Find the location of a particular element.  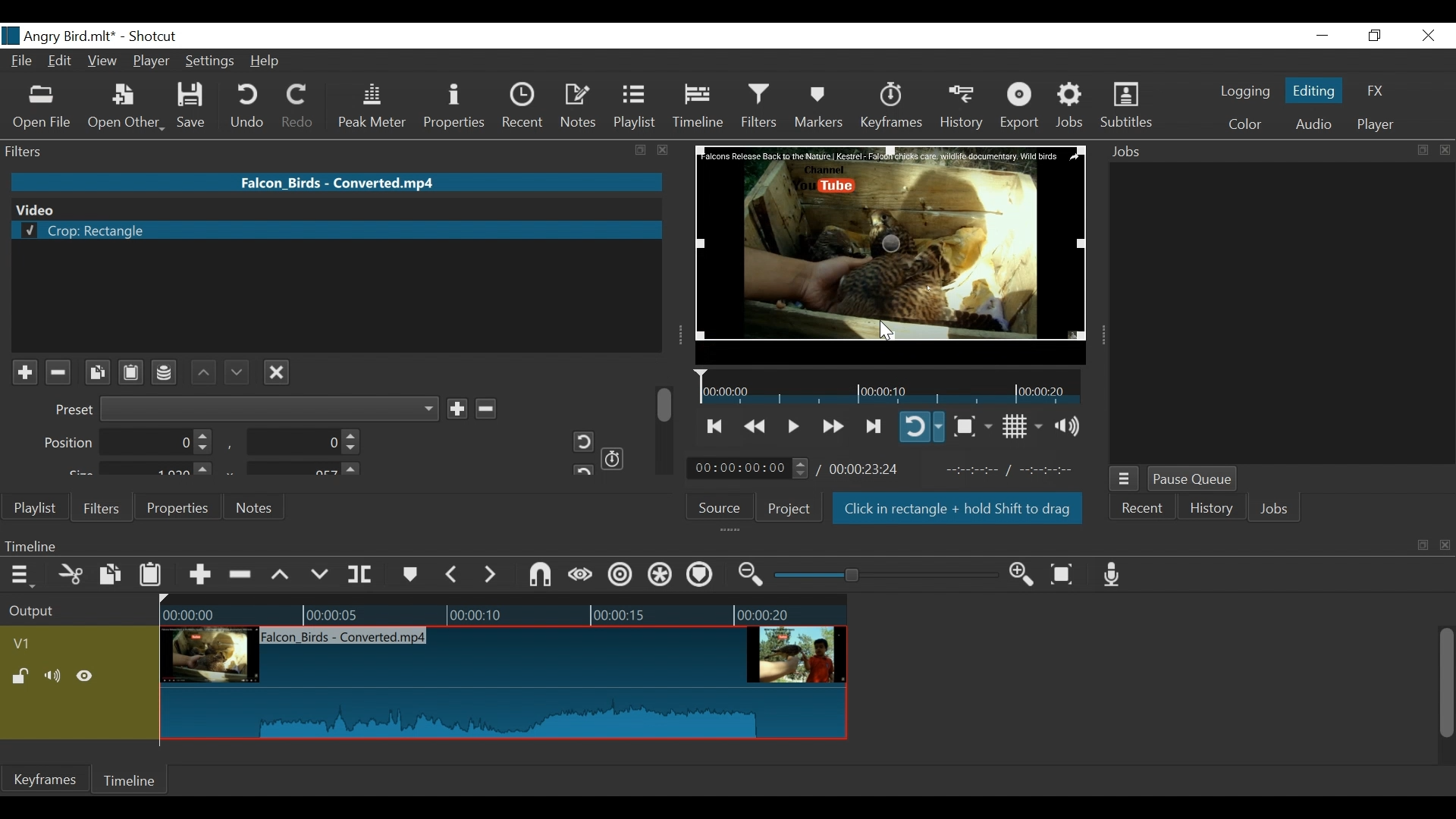

Stopwatch is located at coordinates (613, 457).